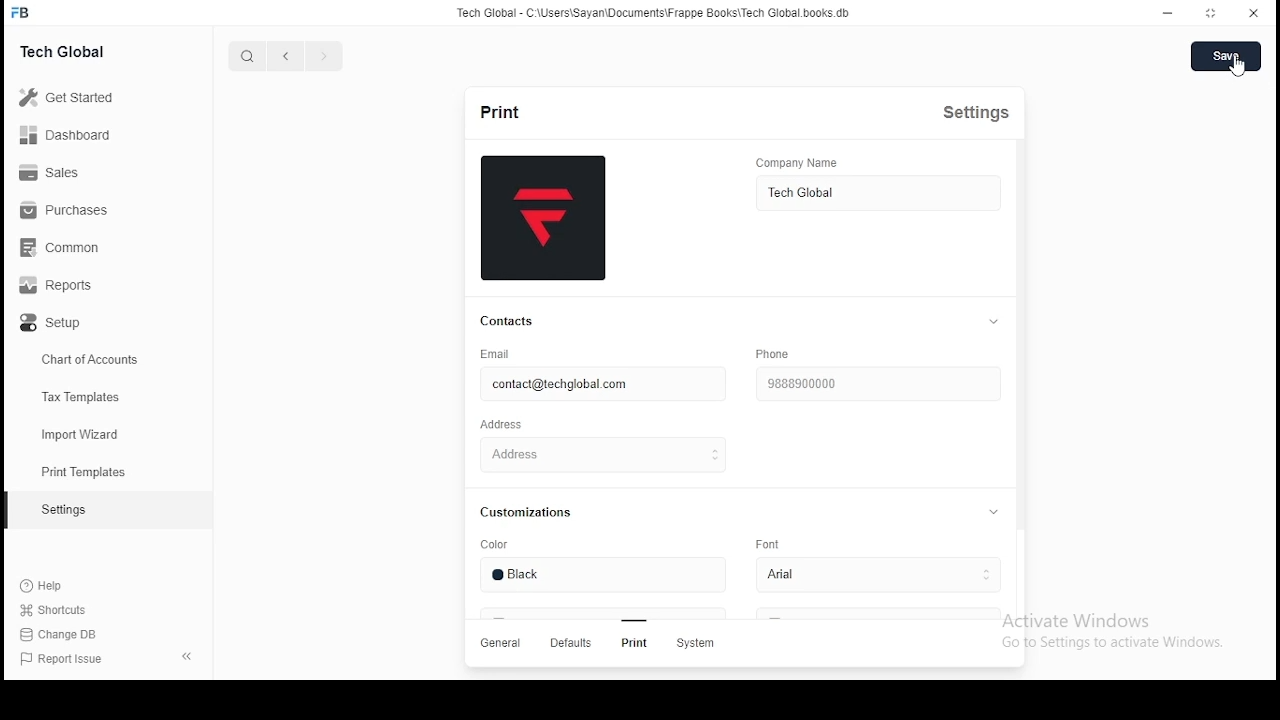  Describe the element at coordinates (287, 57) in the screenshot. I see `go back ` at that location.